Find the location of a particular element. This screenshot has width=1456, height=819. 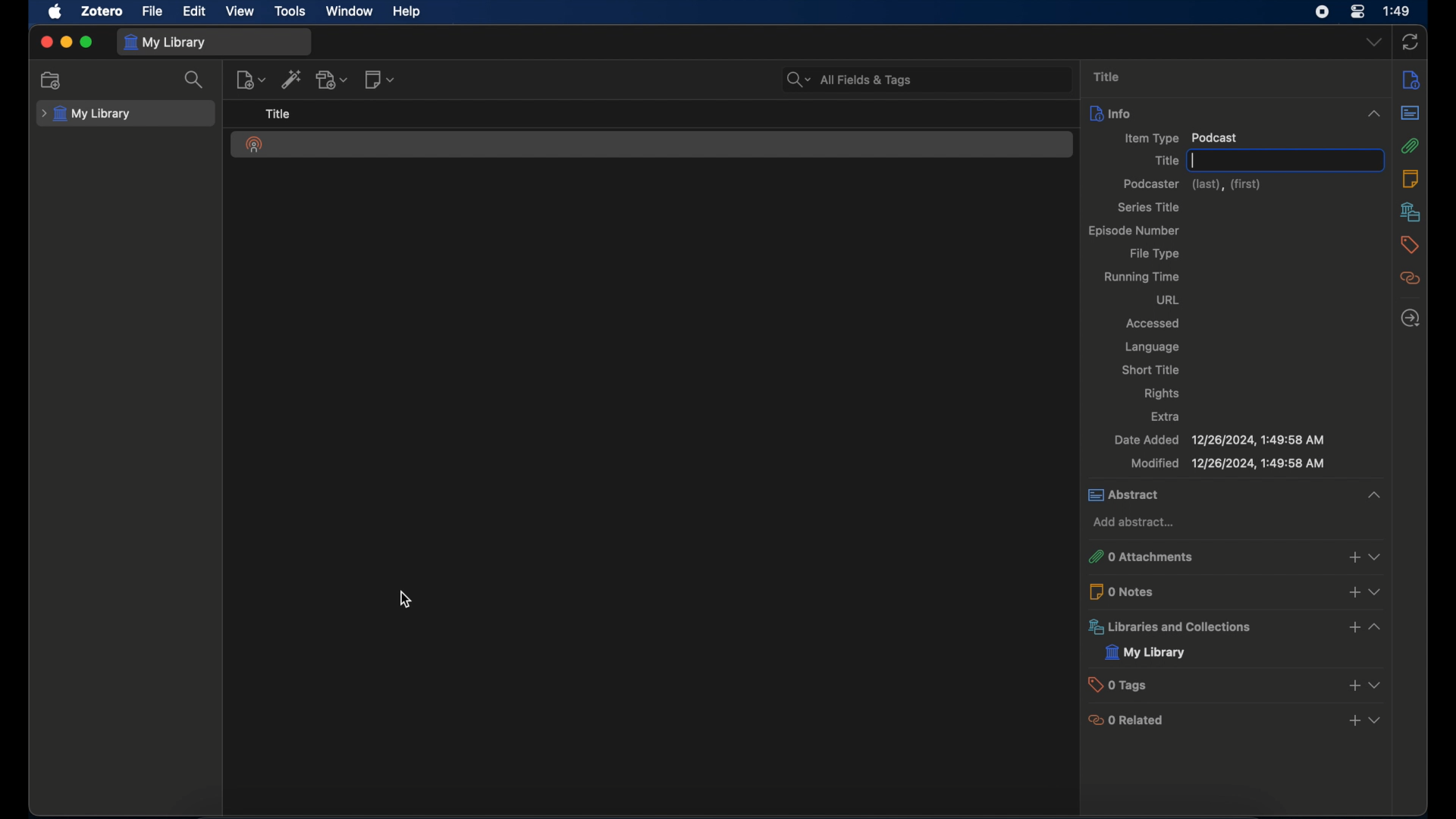

text cursor is located at coordinates (1194, 160).